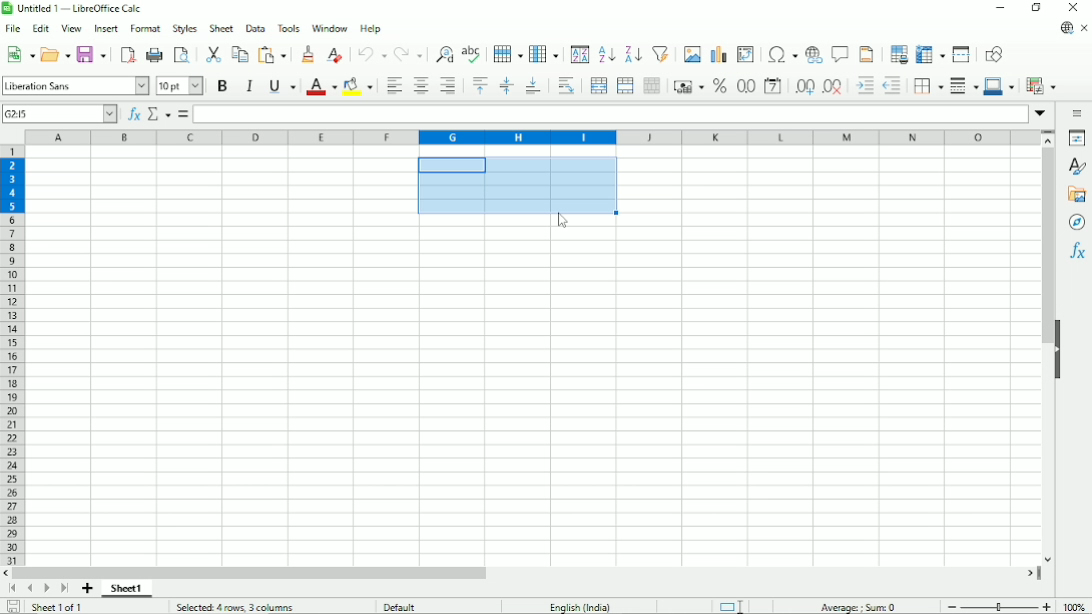 This screenshot has height=614, width=1092. I want to click on Standard selection, so click(732, 605).